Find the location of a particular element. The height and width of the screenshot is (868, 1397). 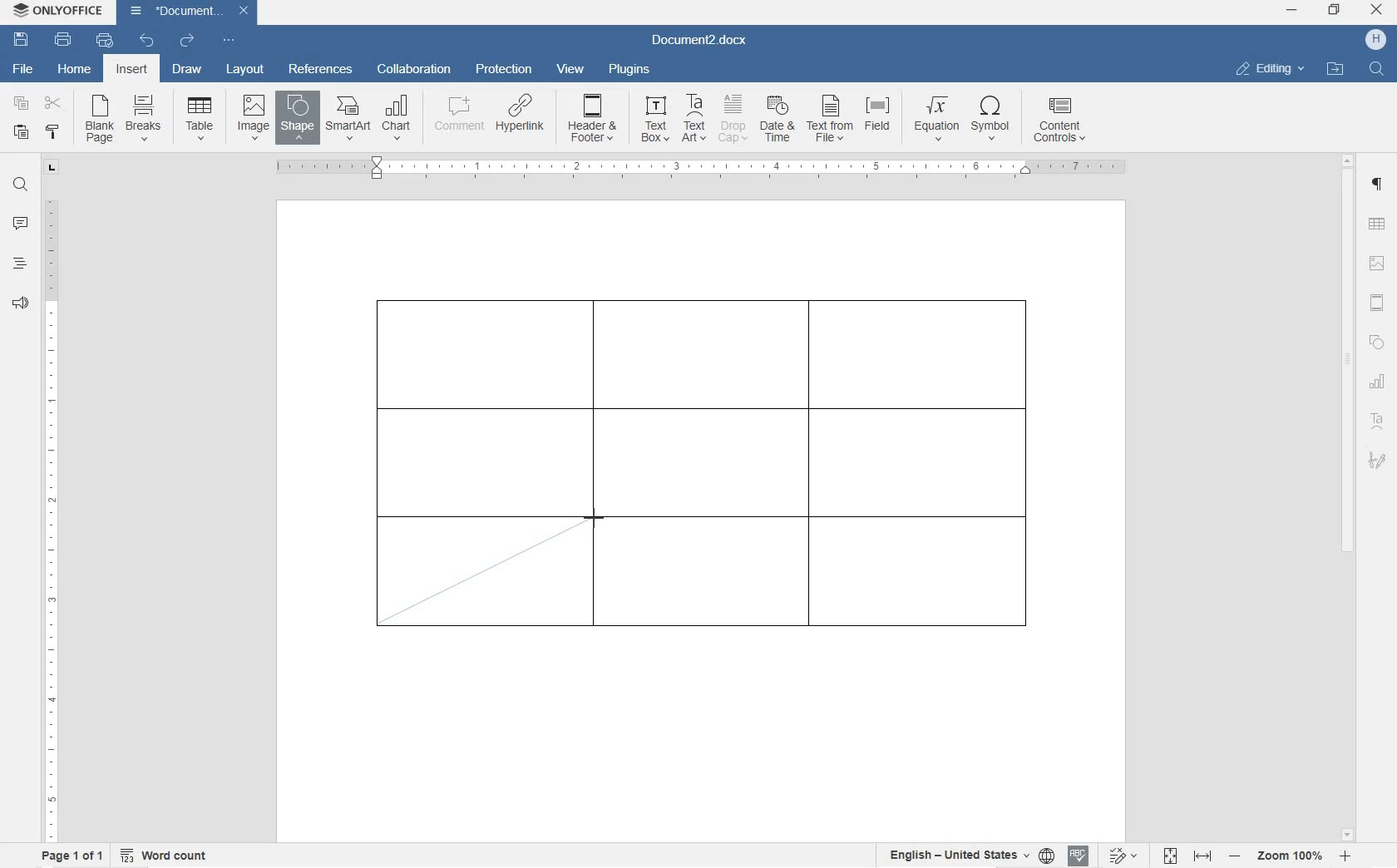

signature is located at coordinates (1376, 460).